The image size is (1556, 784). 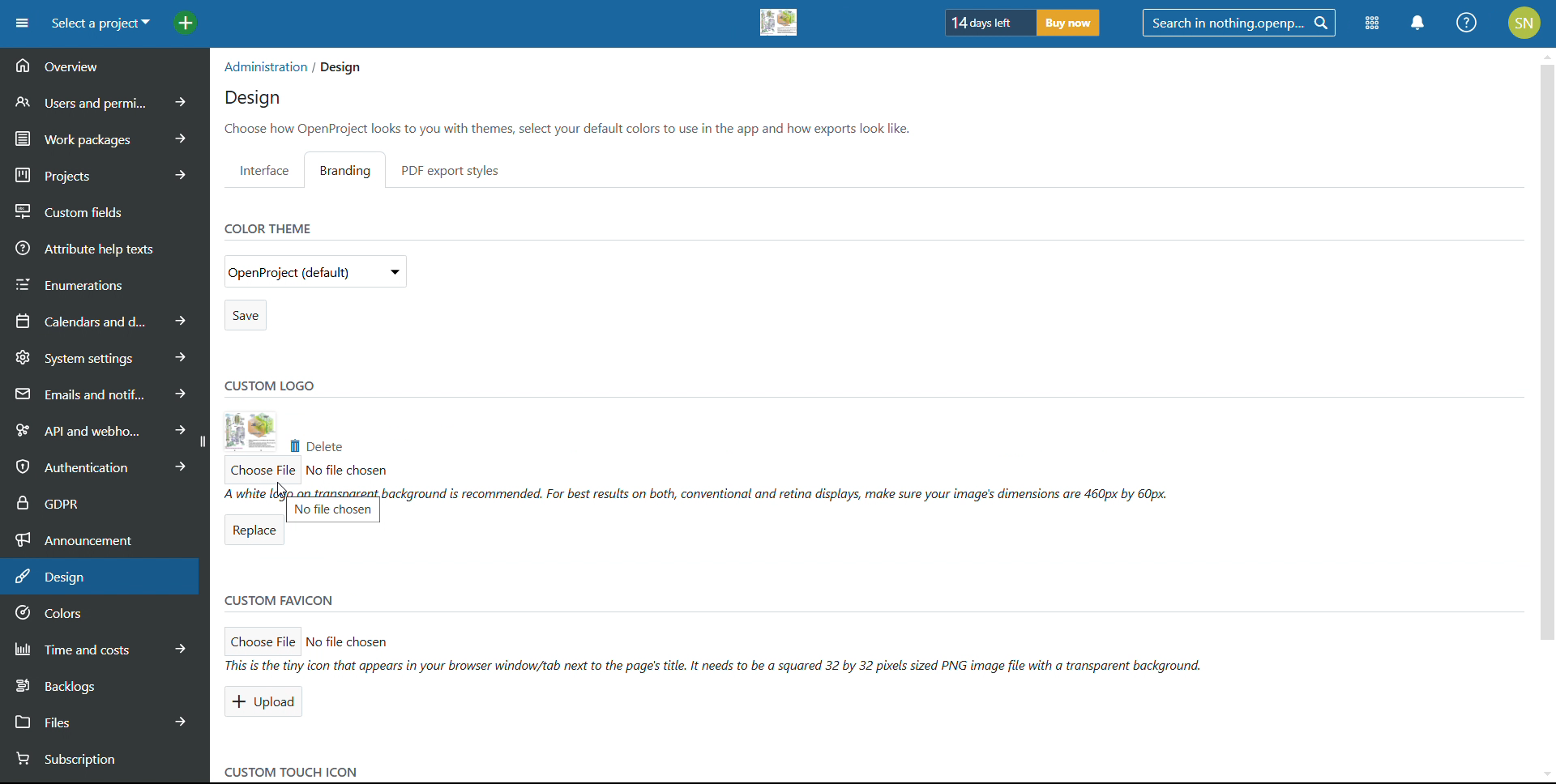 I want to click on search, so click(x=1238, y=23).